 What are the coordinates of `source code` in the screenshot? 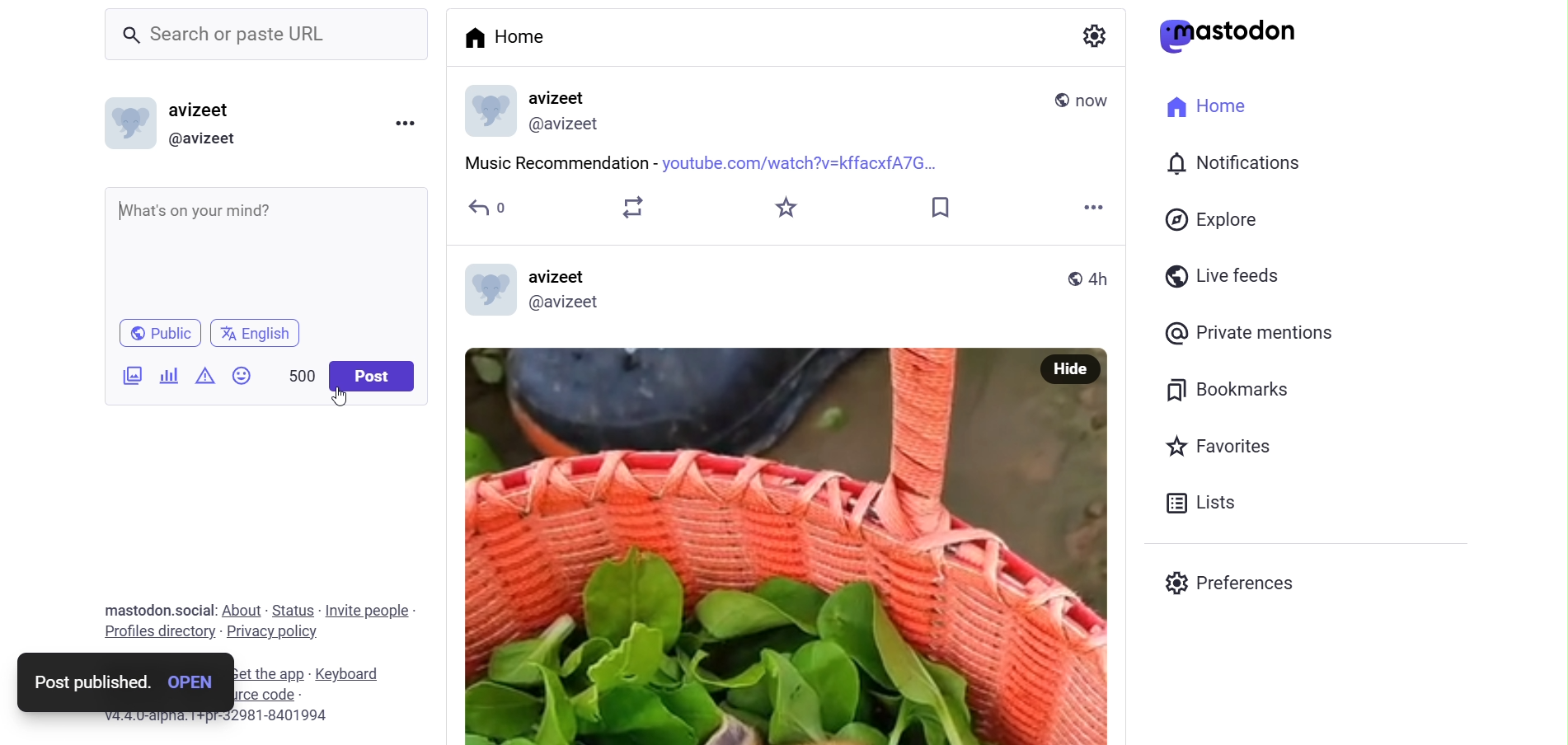 It's located at (303, 694).